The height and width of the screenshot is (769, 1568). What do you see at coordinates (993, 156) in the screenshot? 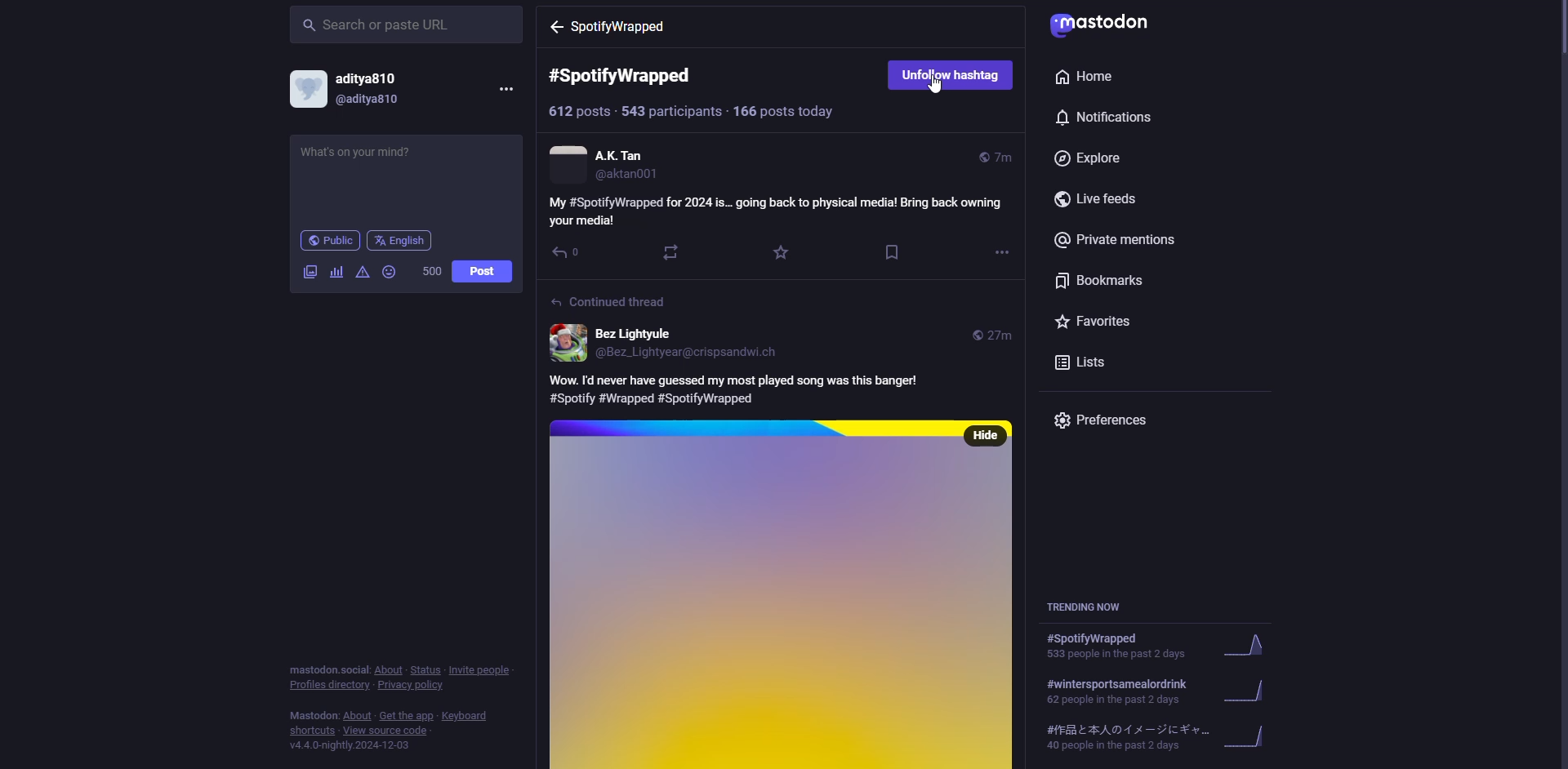
I see `time` at bounding box center [993, 156].